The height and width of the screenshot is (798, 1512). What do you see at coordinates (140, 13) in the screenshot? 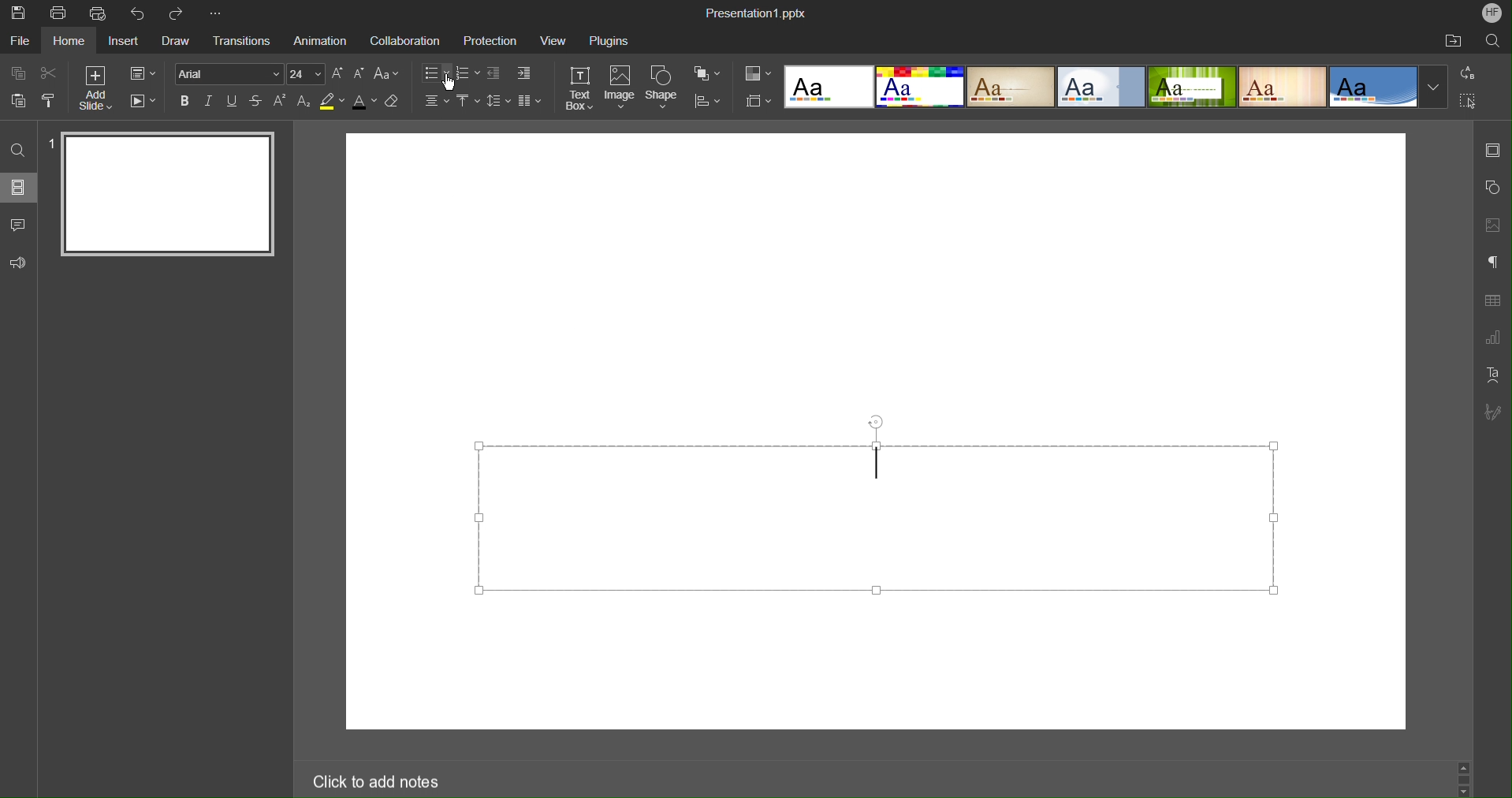
I see `Undo ` at bounding box center [140, 13].